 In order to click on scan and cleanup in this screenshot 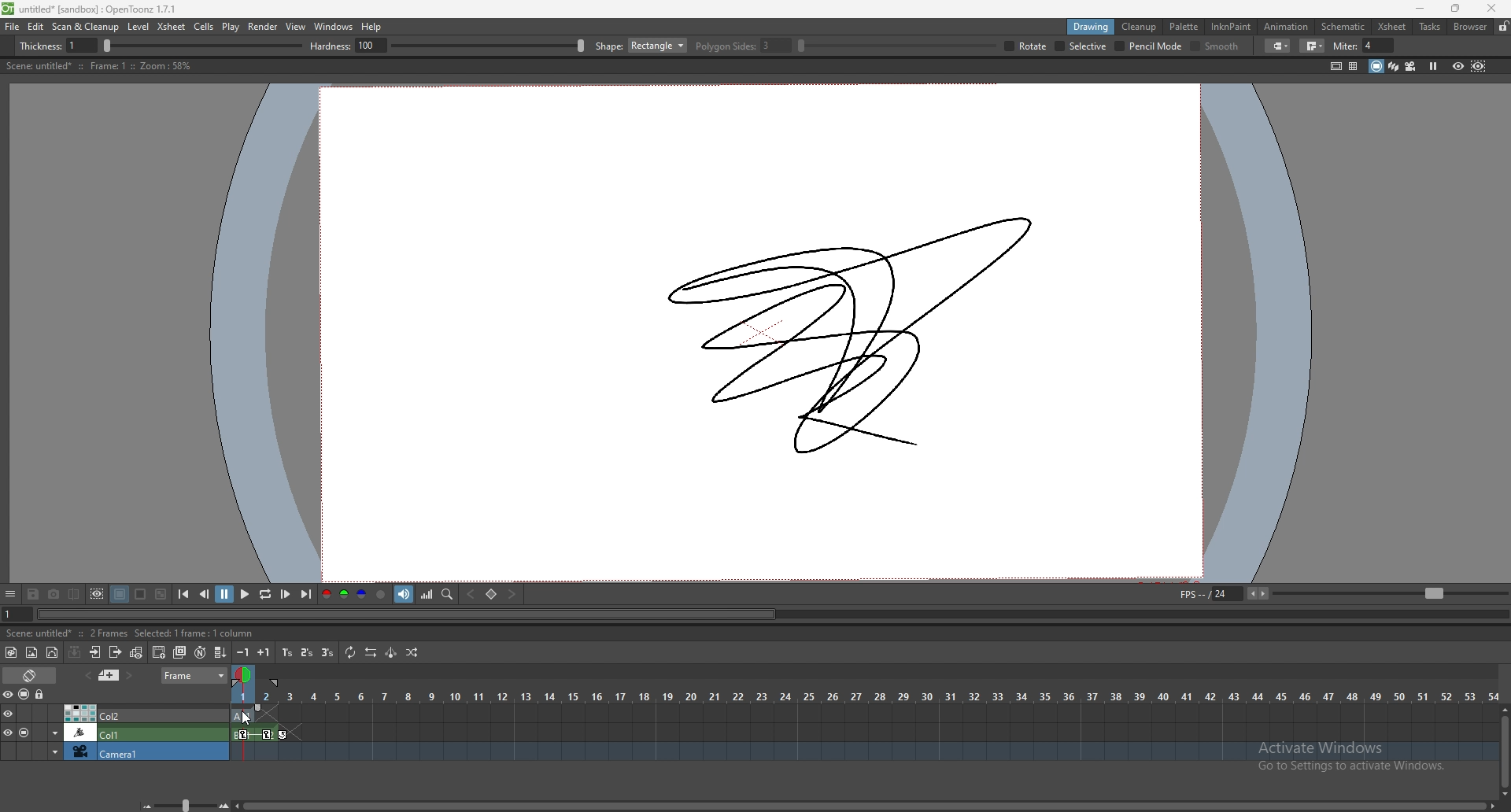, I will do `click(85, 27)`.